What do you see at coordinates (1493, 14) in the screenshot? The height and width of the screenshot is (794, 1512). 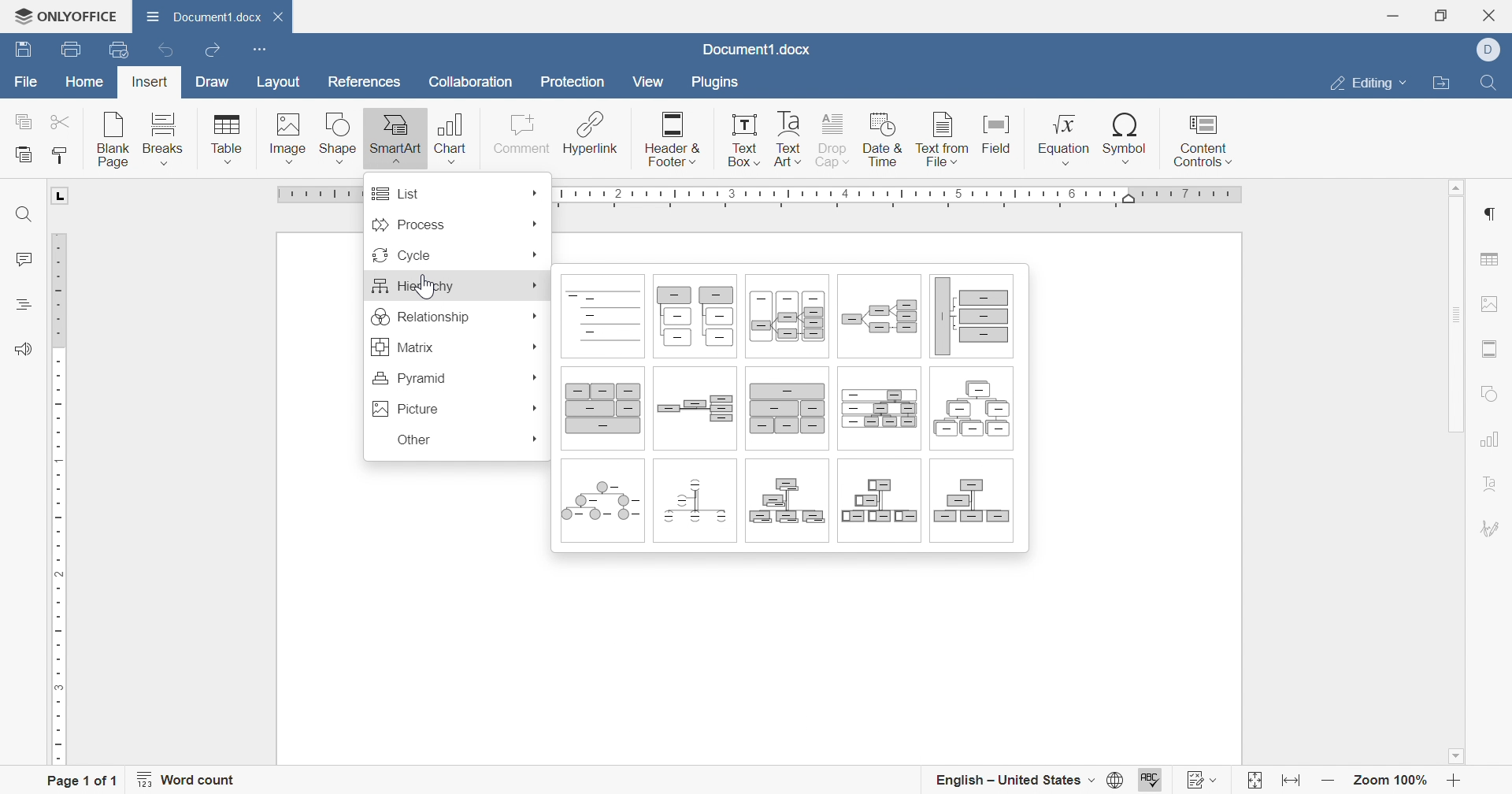 I see `Close` at bounding box center [1493, 14].